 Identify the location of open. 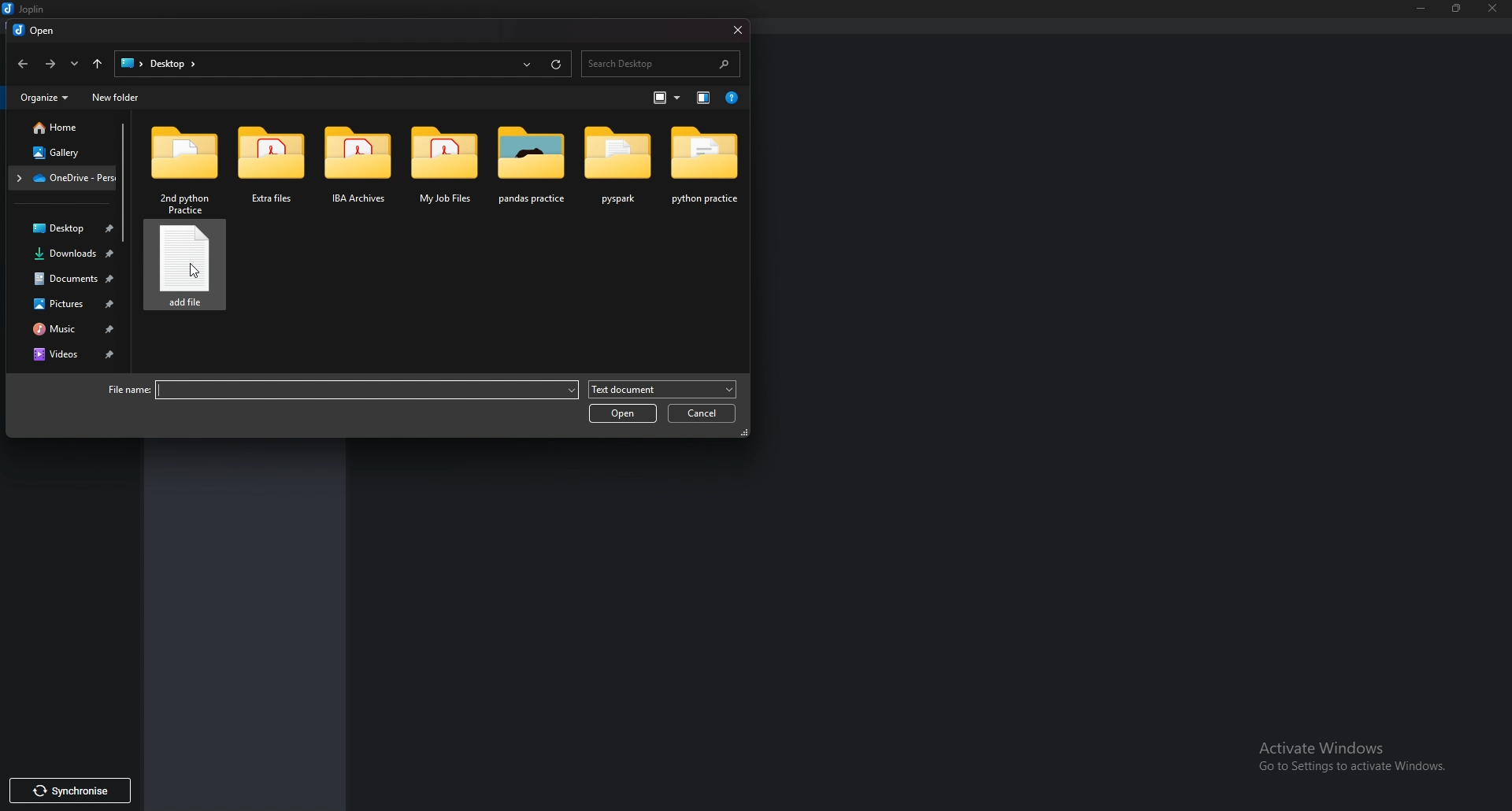
(44, 31).